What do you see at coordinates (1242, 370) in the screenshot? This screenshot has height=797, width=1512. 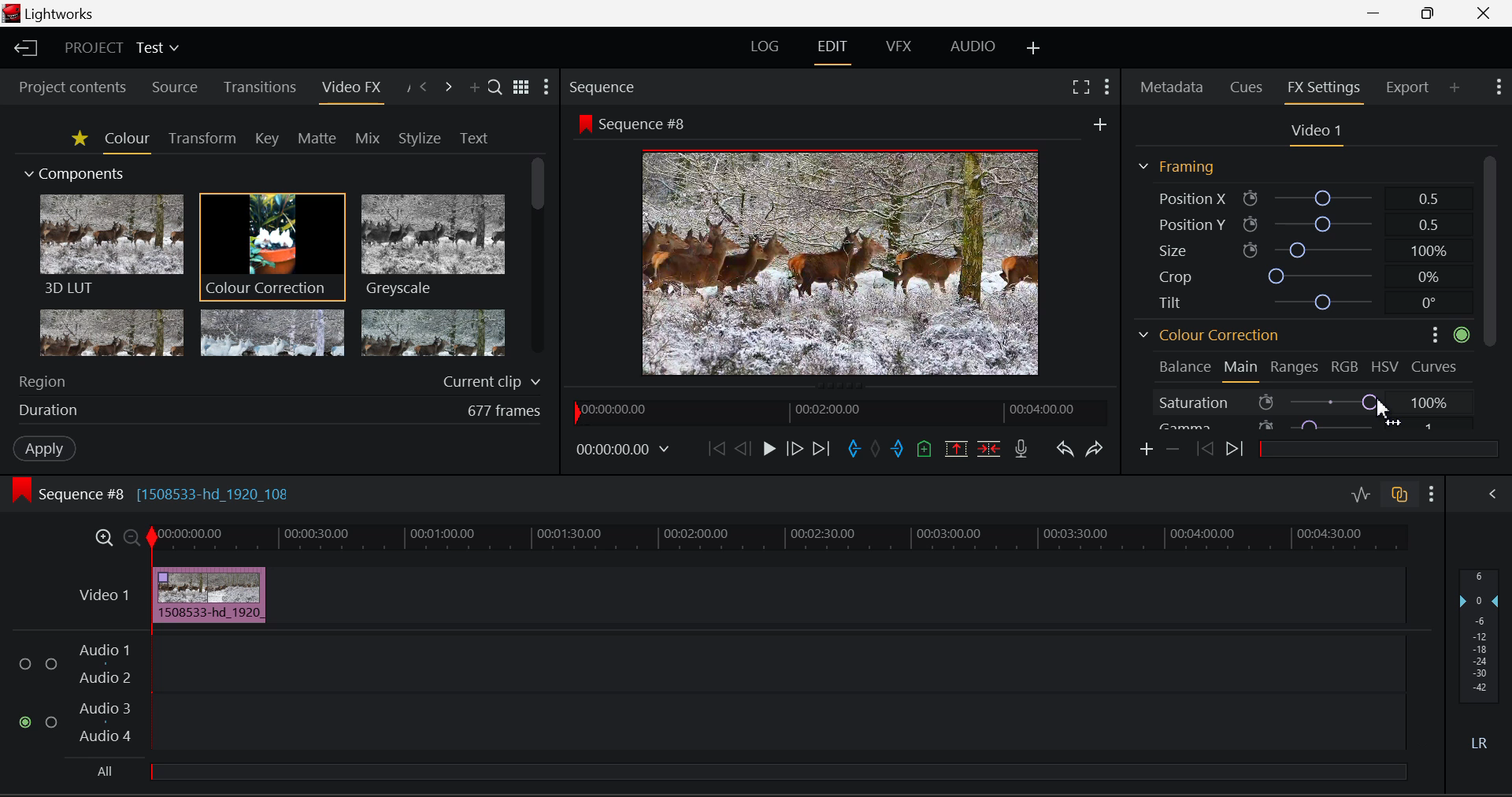 I see `Main Tab Open` at bounding box center [1242, 370].